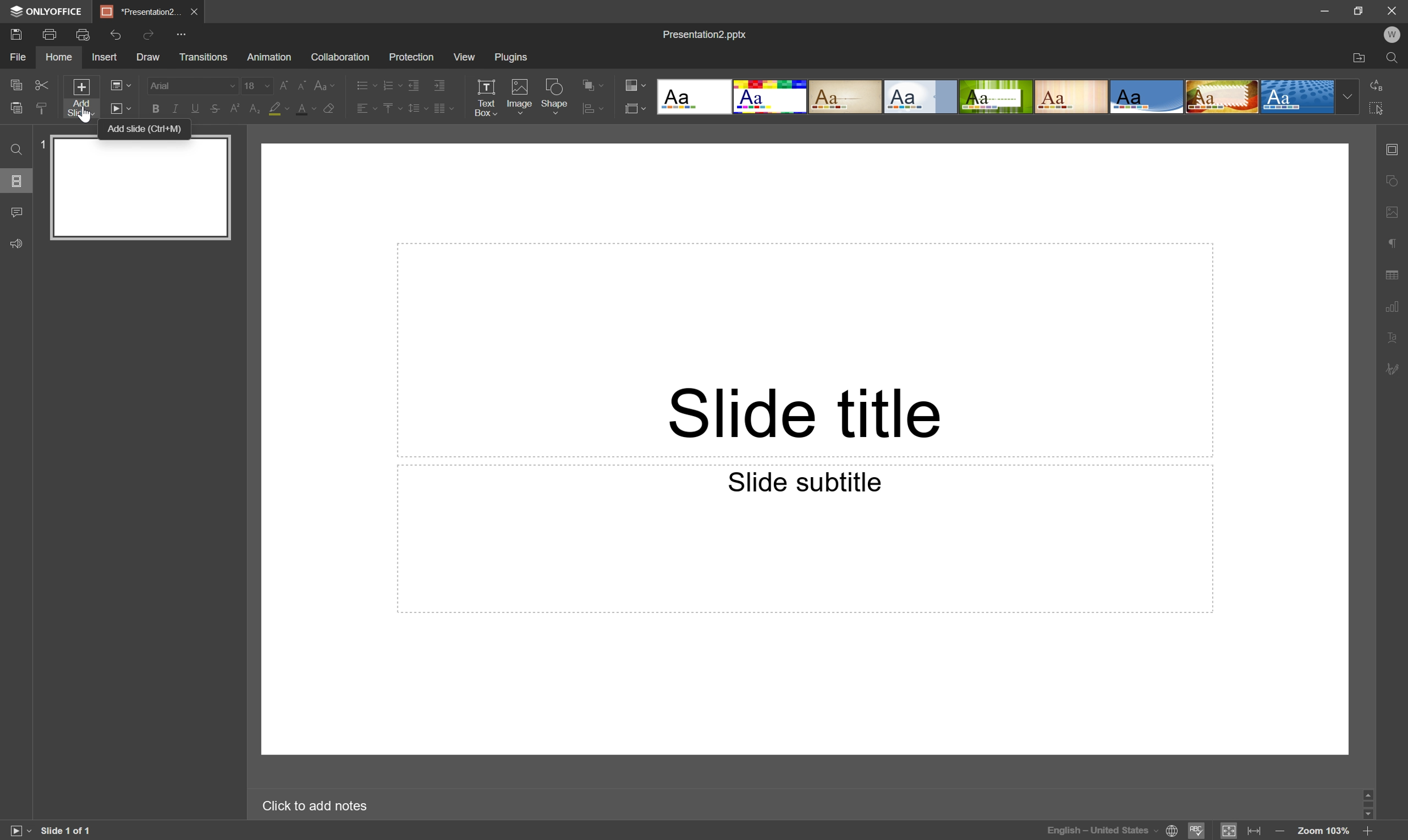 The height and width of the screenshot is (840, 1408). Describe the element at coordinates (1364, 811) in the screenshot. I see `Scroll Down` at that location.